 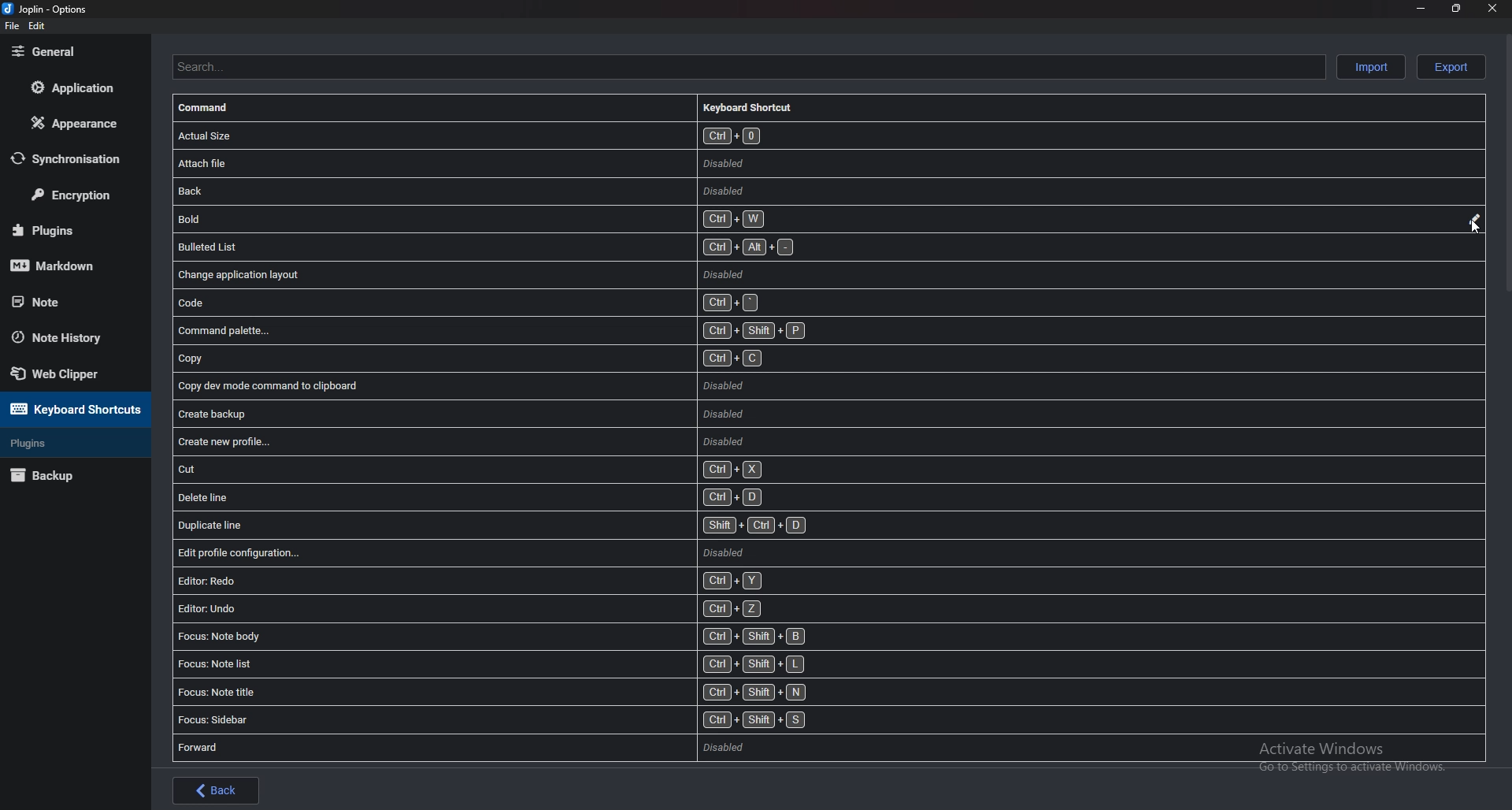 I want to click on Scroll bar, so click(x=1505, y=166).